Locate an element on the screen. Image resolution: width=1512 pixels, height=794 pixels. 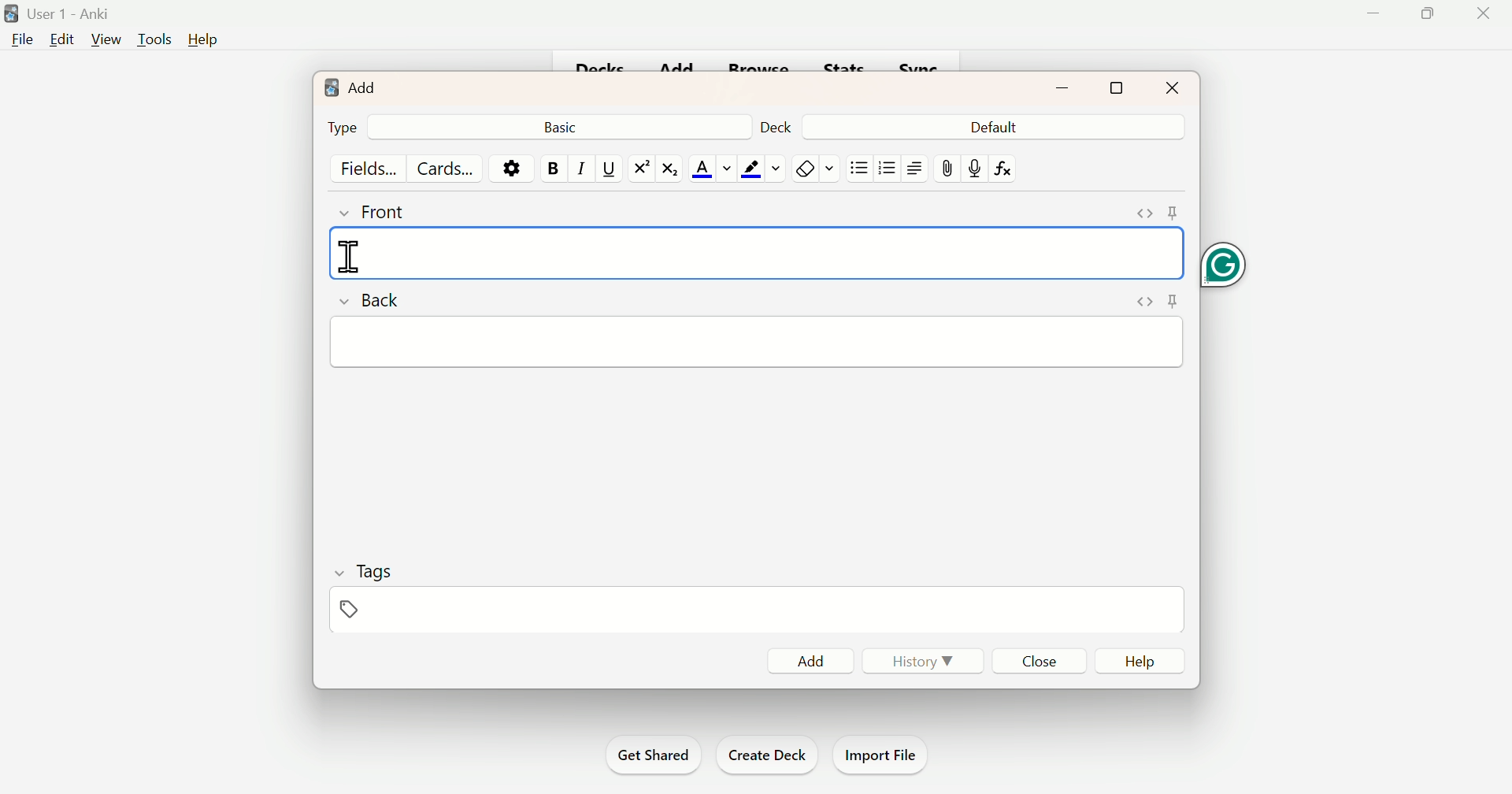
Subscript is located at coordinates (669, 169).